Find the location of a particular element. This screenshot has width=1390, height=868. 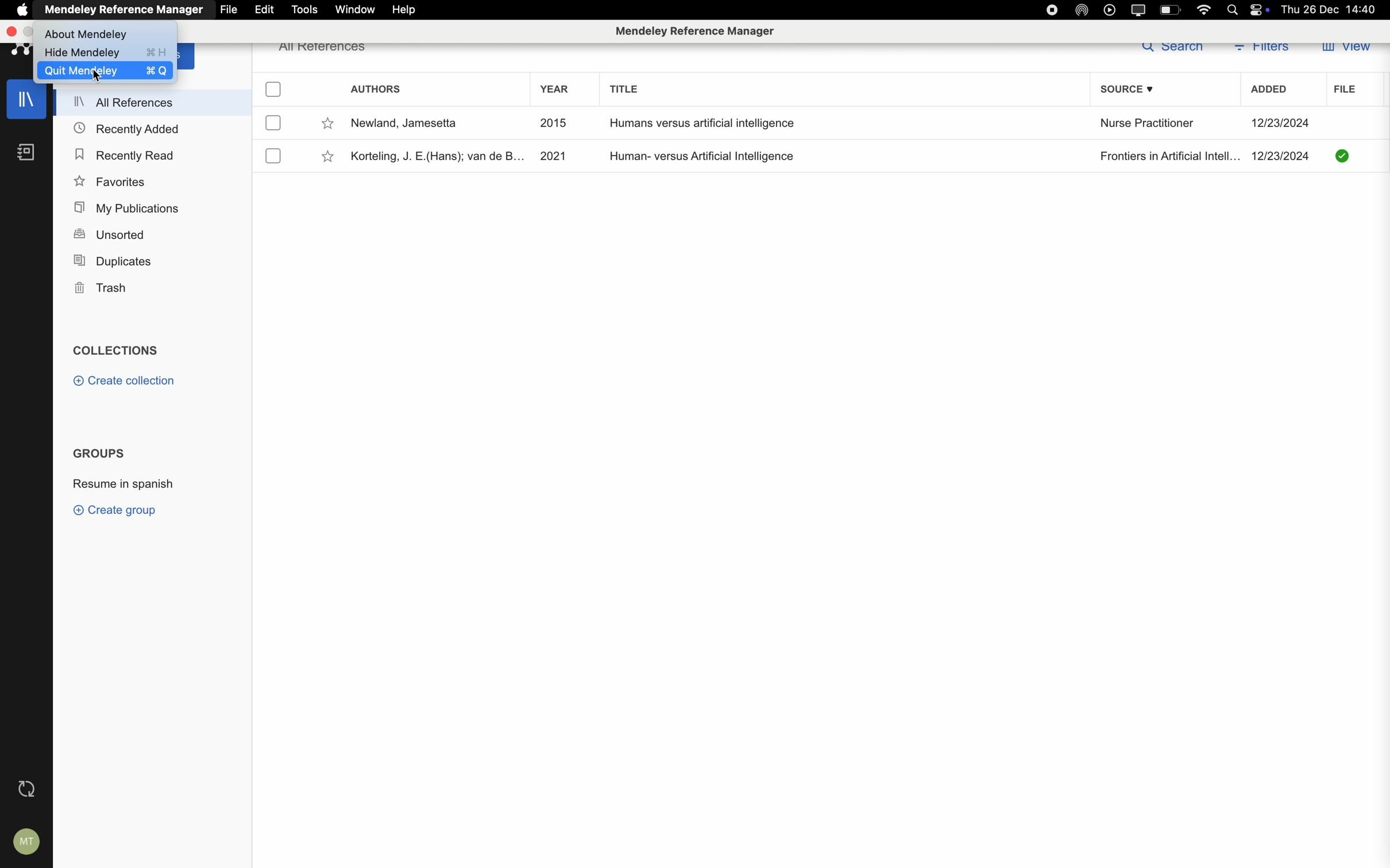

create group is located at coordinates (118, 511).